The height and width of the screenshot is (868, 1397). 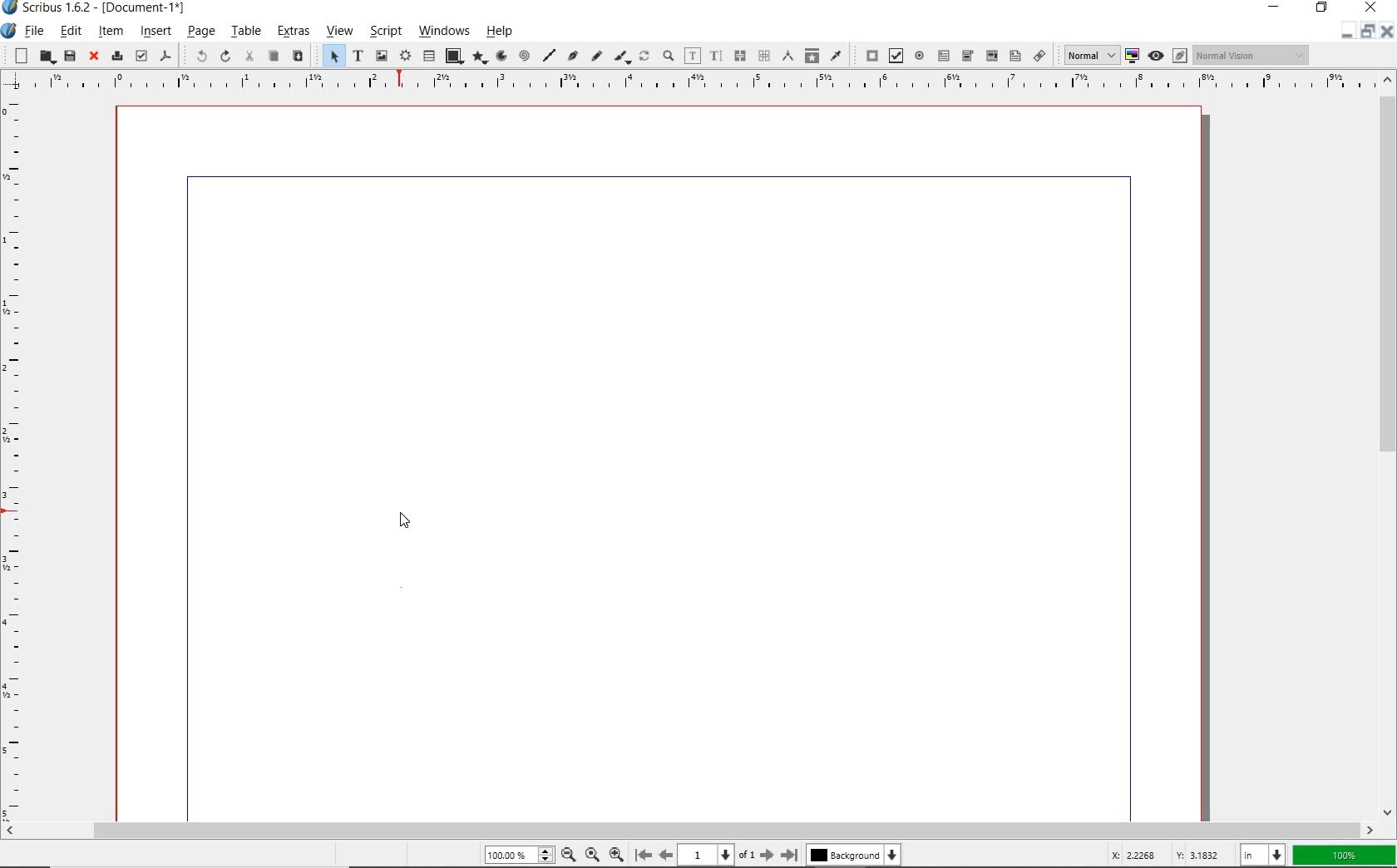 What do you see at coordinates (331, 57) in the screenshot?
I see `select item` at bounding box center [331, 57].